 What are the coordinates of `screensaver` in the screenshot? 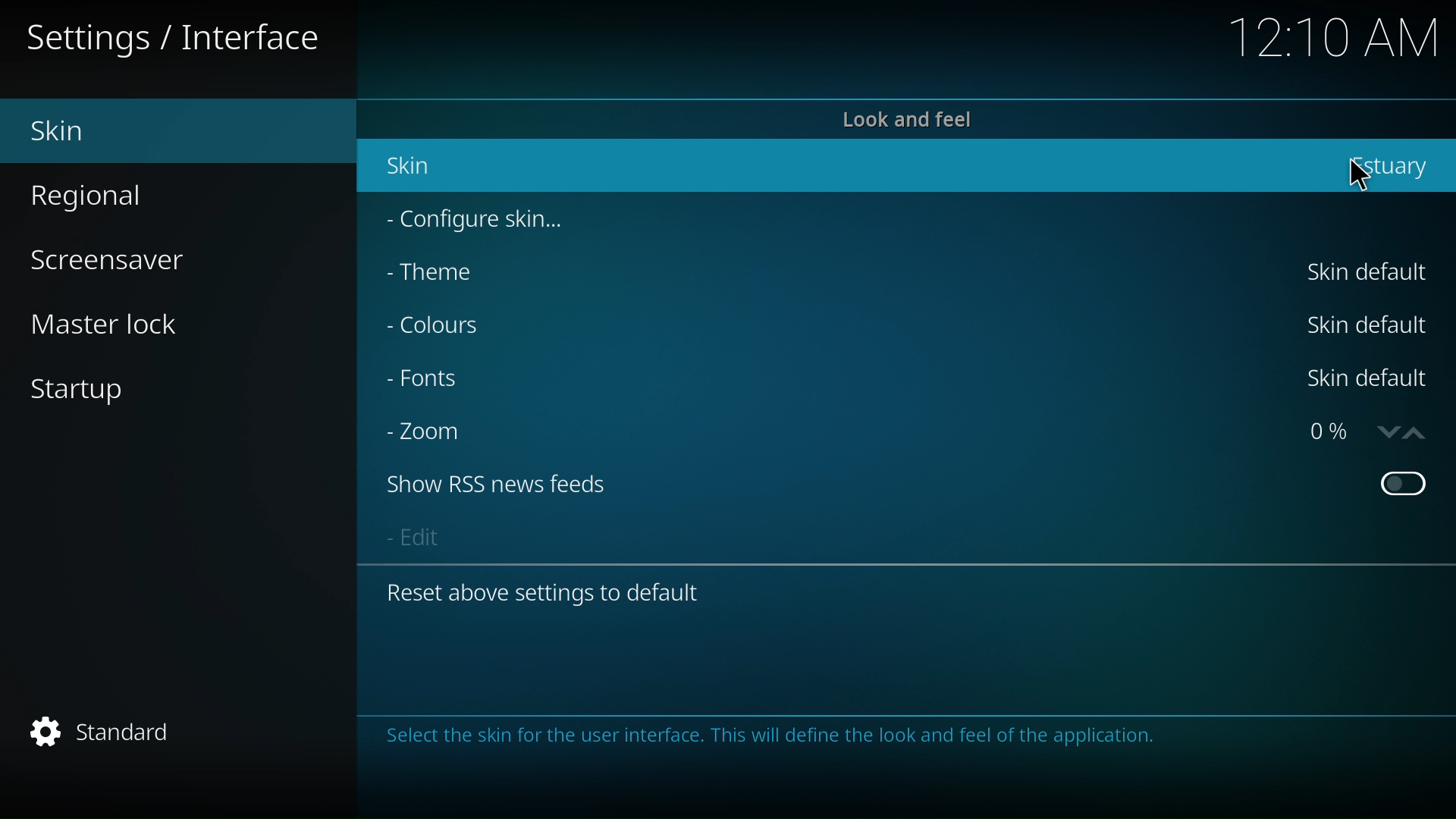 It's located at (127, 262).